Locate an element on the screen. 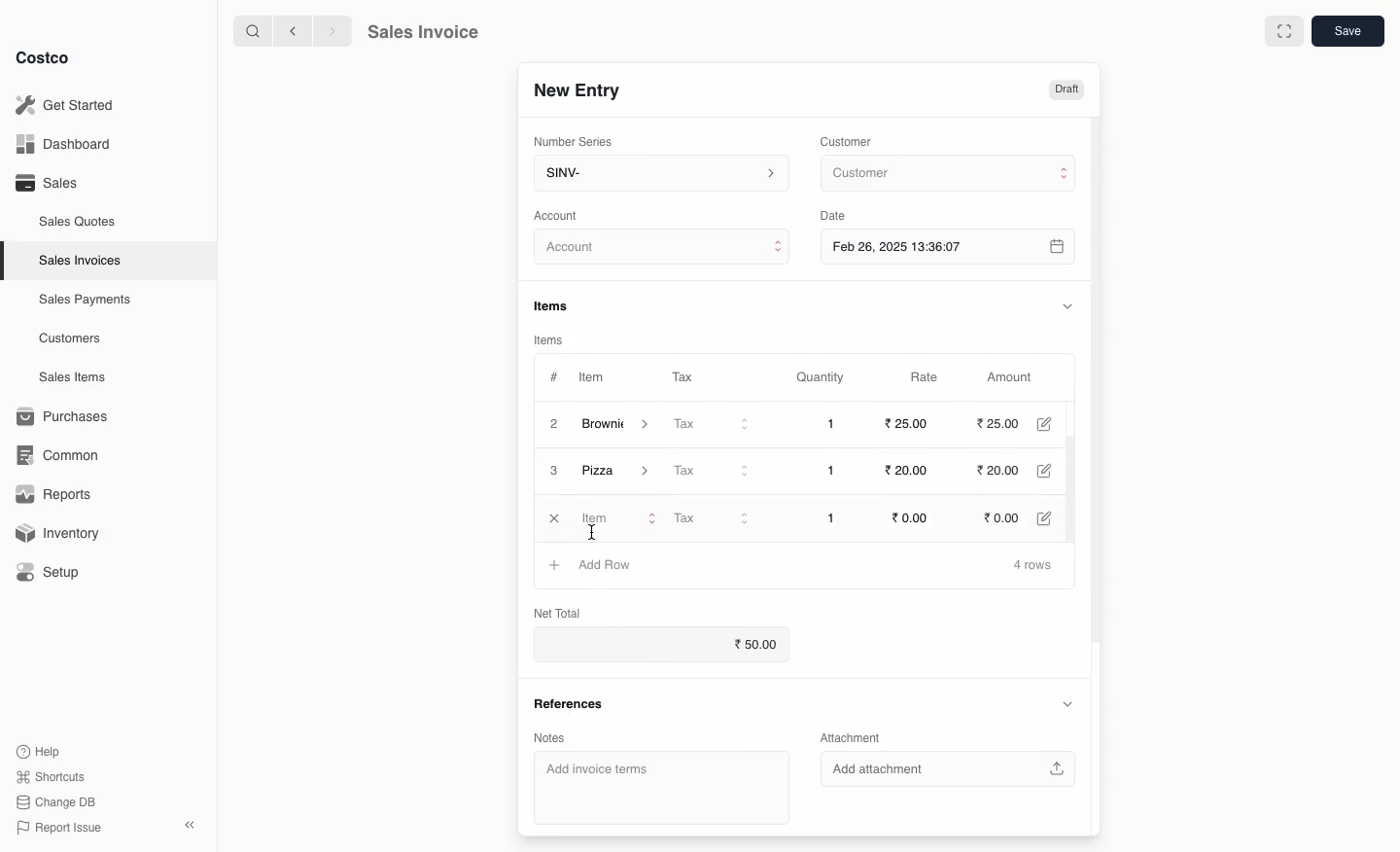 This screenshot has width=1400, height=852. # is located at coordinates (554, 375).